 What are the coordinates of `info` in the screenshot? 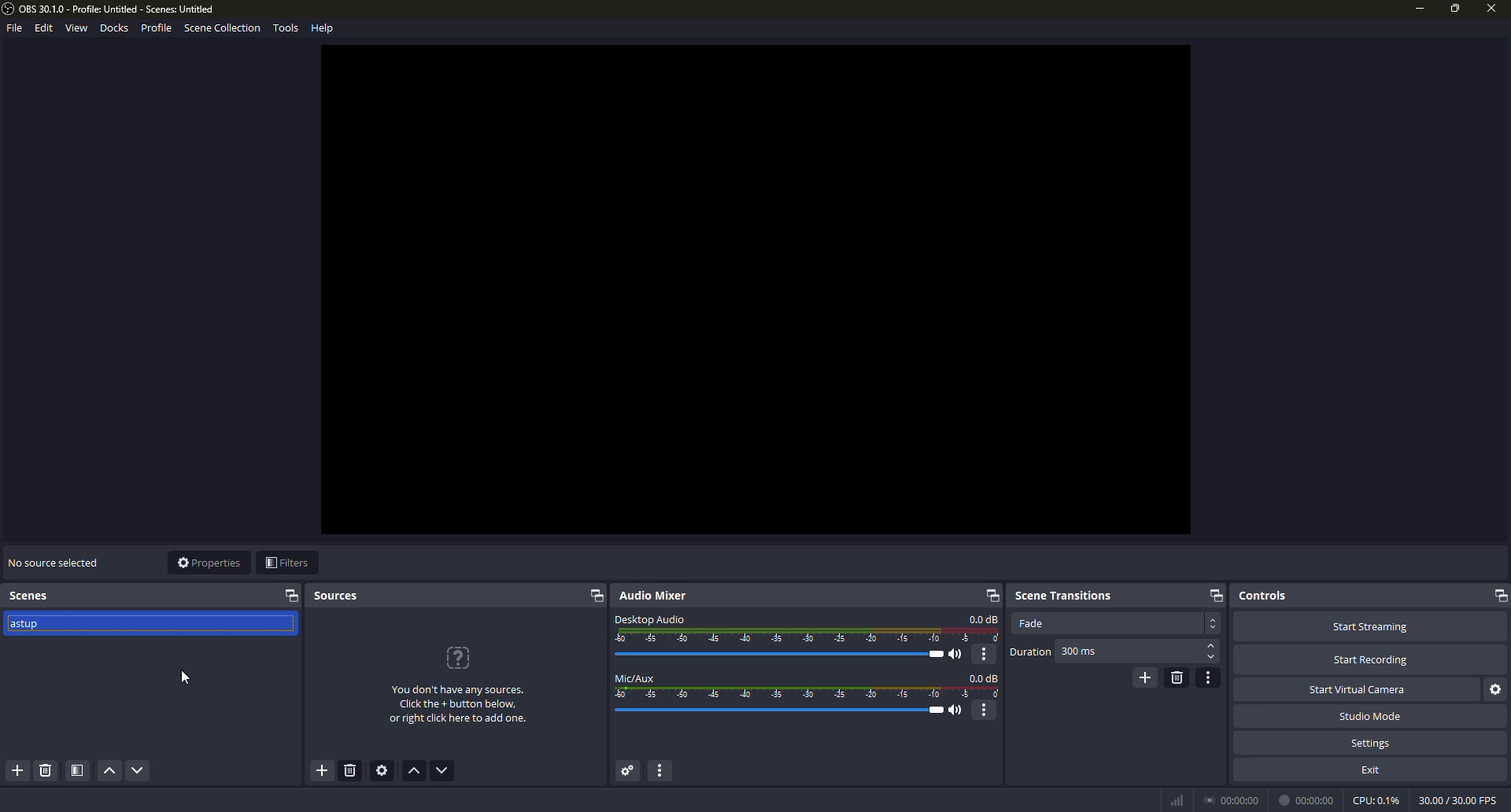 It's located at (458, 706).